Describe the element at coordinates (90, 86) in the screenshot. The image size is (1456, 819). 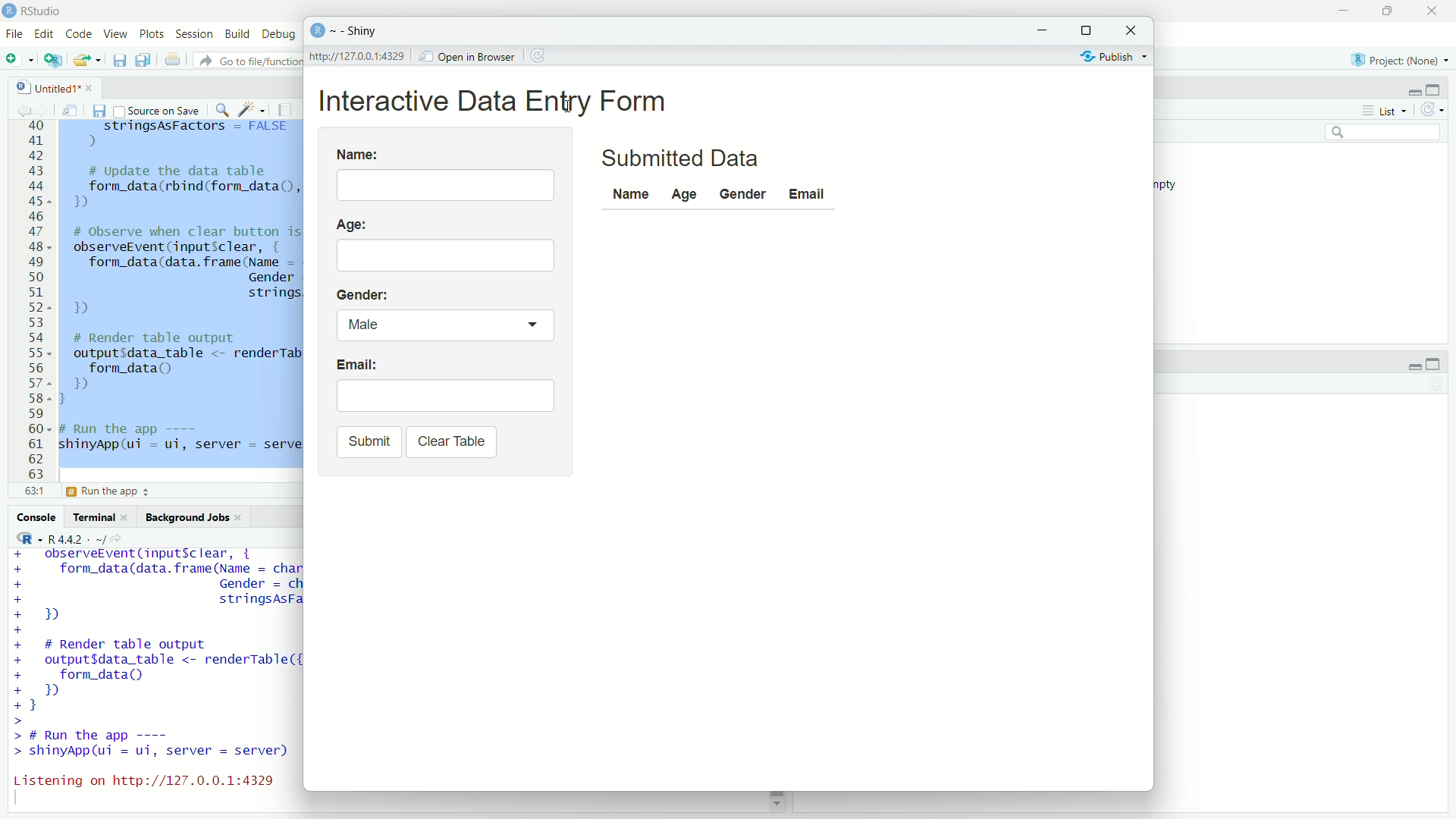
I see `close` at that location.